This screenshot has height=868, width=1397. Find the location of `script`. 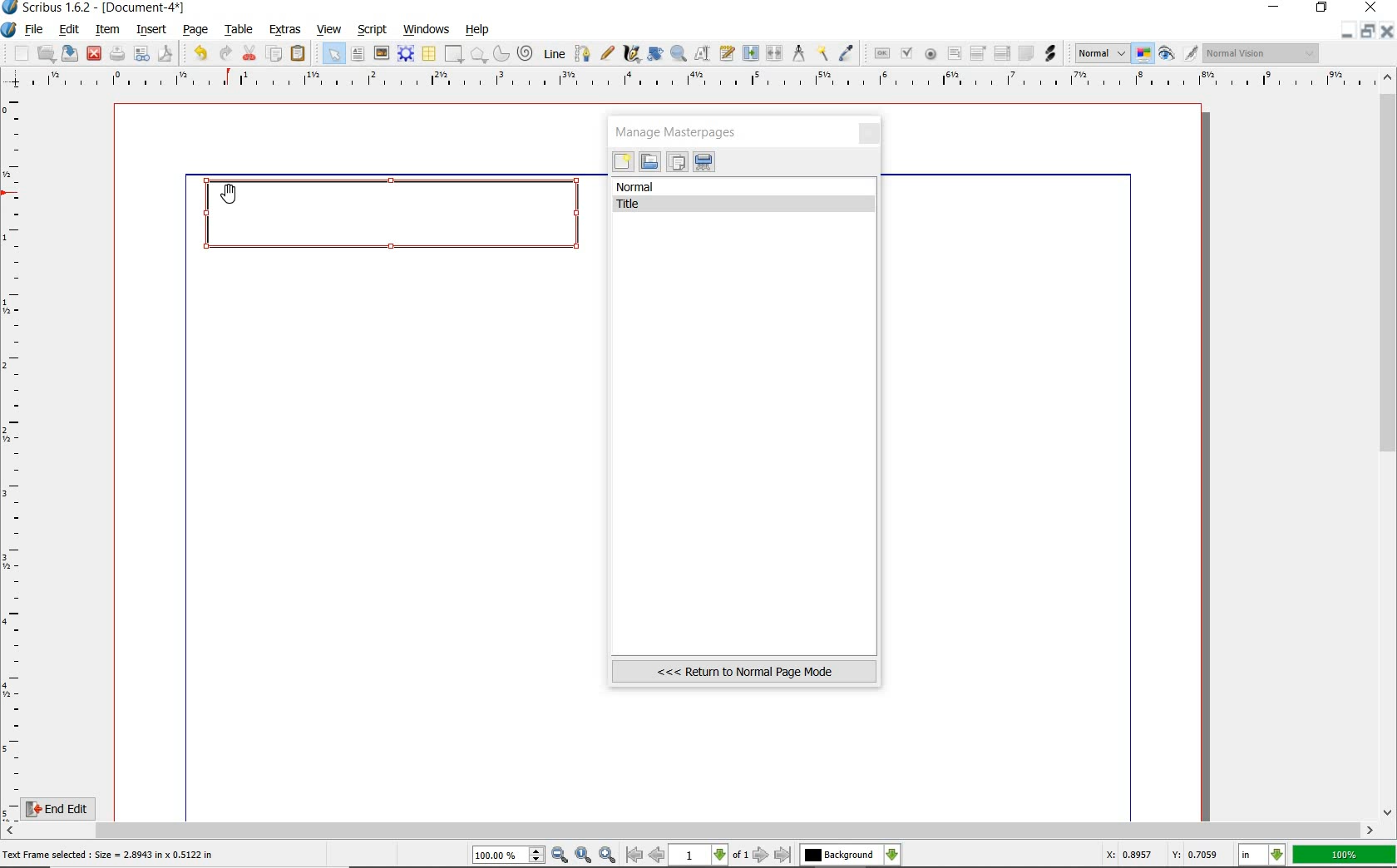

script is located at coordinates (373, 28).